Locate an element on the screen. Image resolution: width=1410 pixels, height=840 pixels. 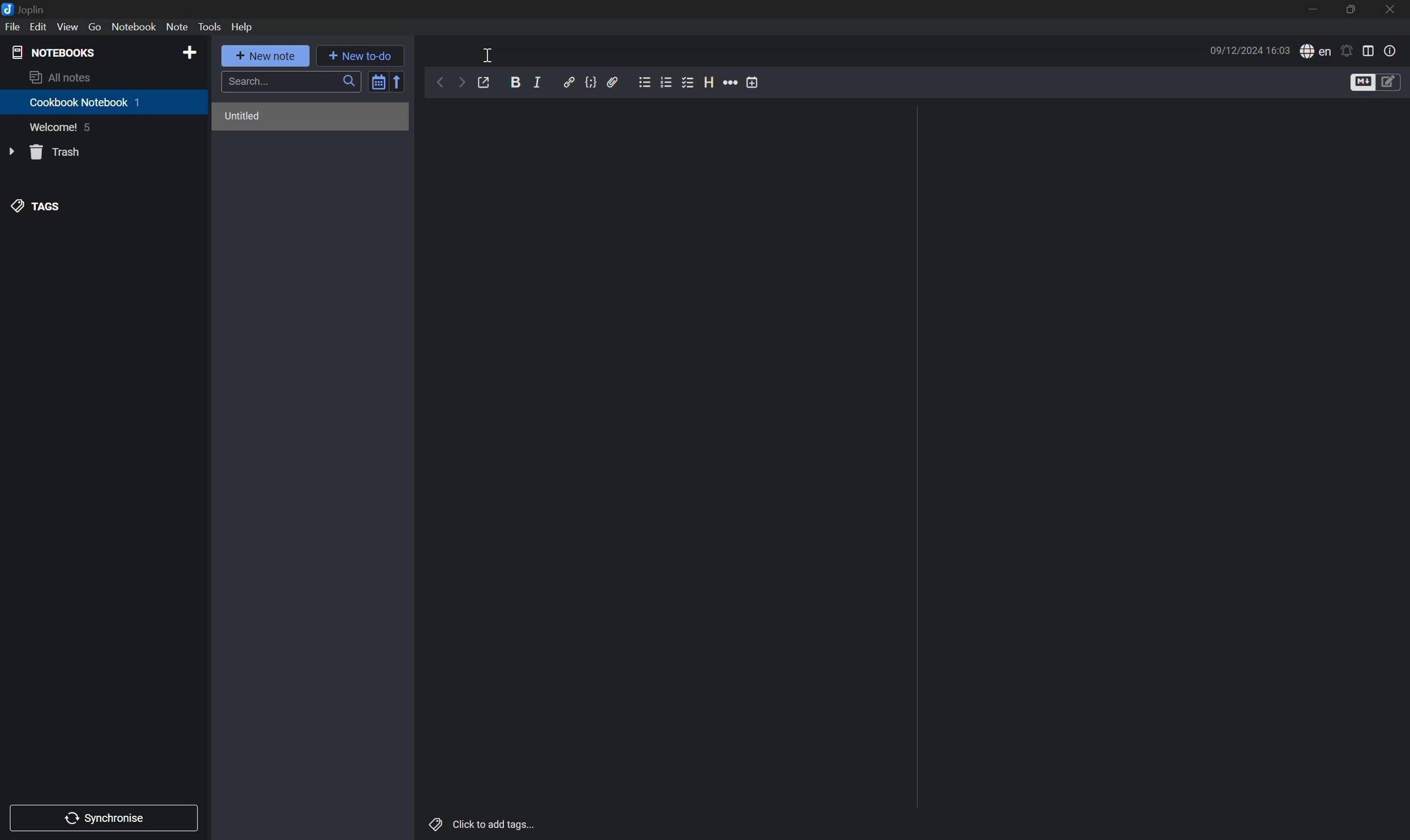
Click to add tags... is located at coordinates (484, 828).